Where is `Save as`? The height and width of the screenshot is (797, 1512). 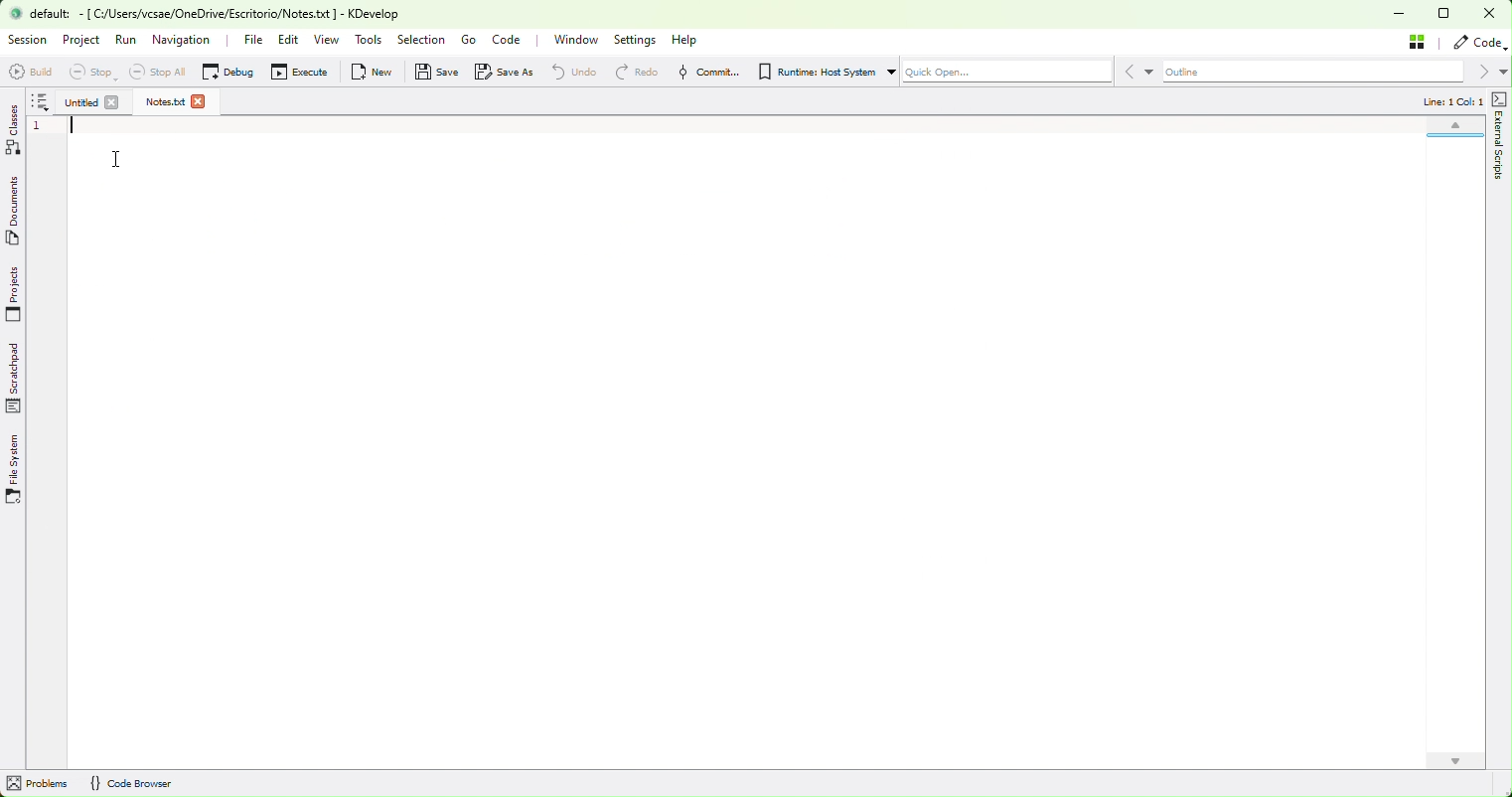 Save as is located at coordinates (508, 72).